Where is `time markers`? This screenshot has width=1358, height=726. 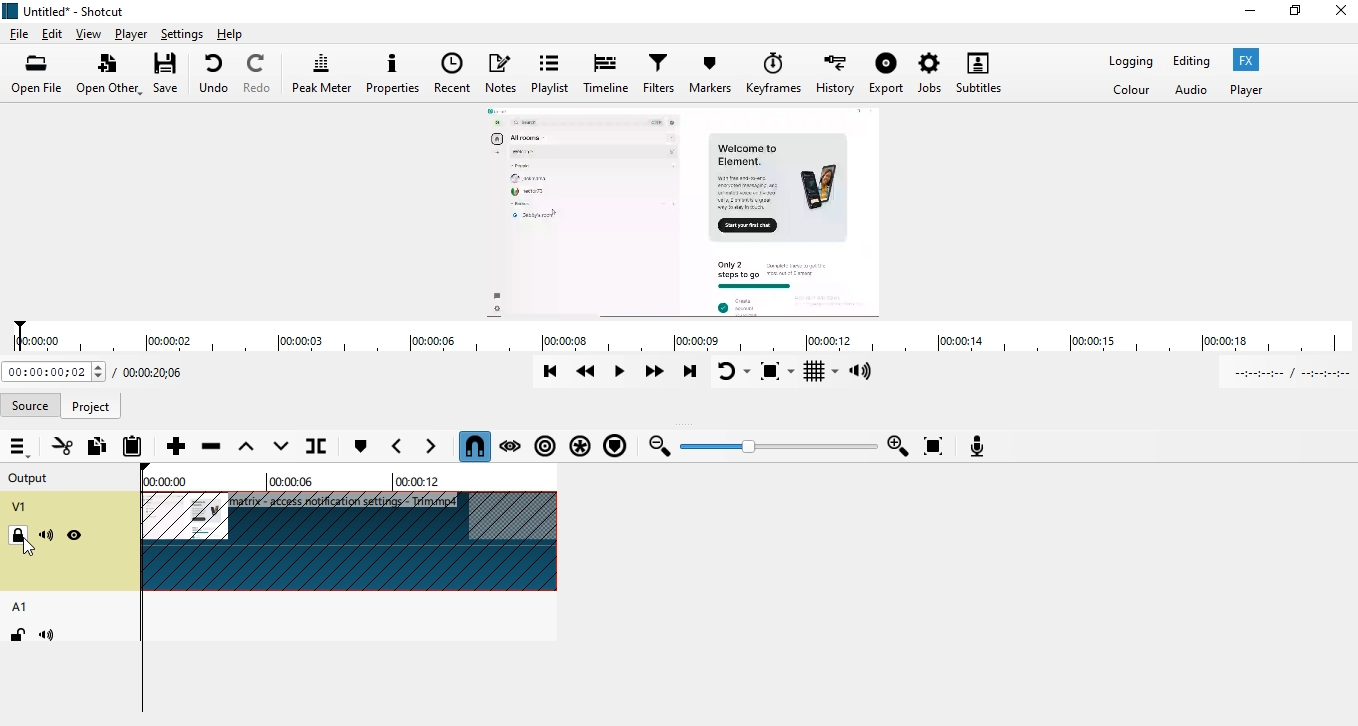
time markers is located at coordinates (292, 478).